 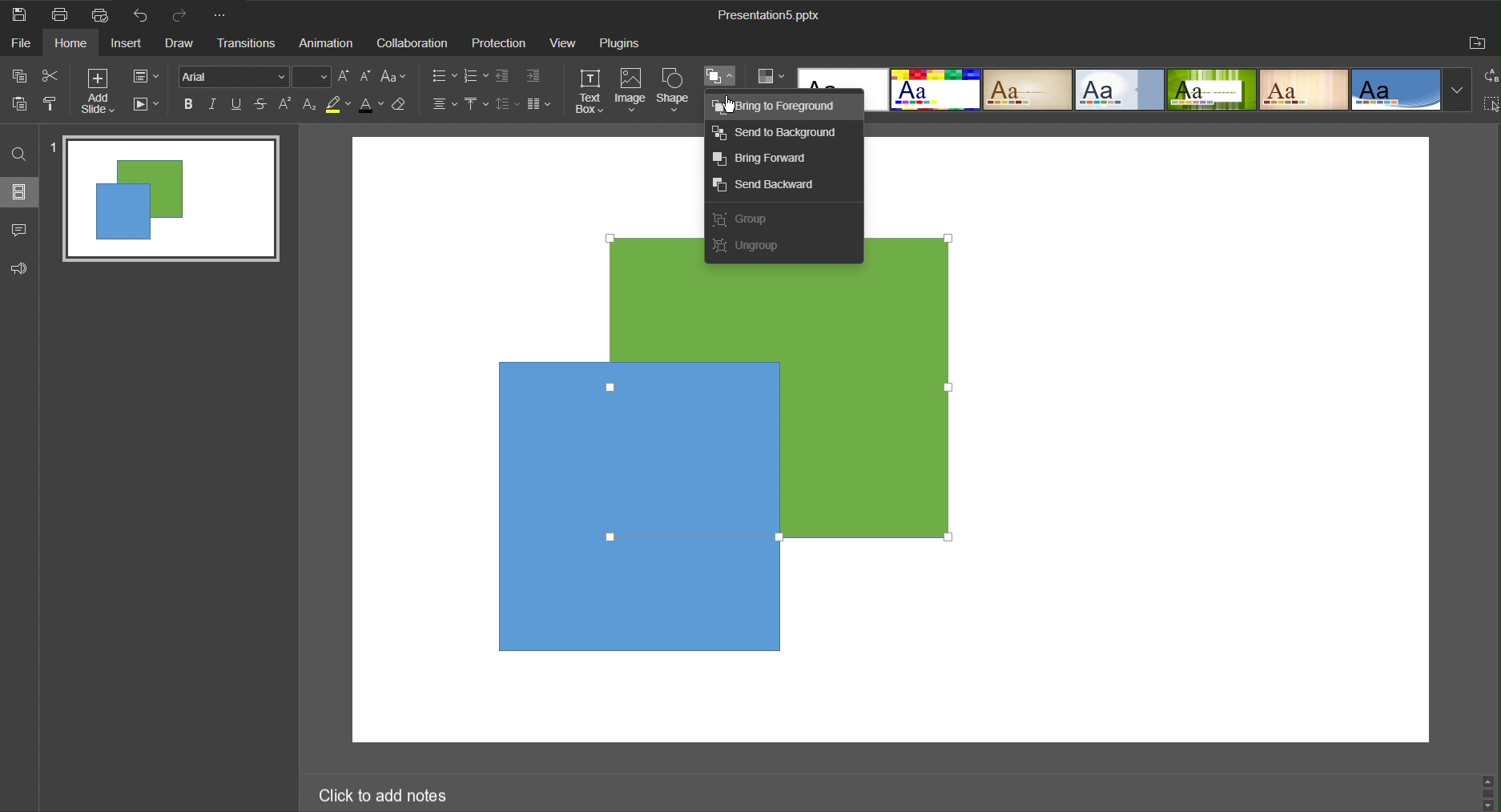 What do you see at coordinates (372, 105) in the screenshot?
I see `Text Color` at bounding box center [372, 105].